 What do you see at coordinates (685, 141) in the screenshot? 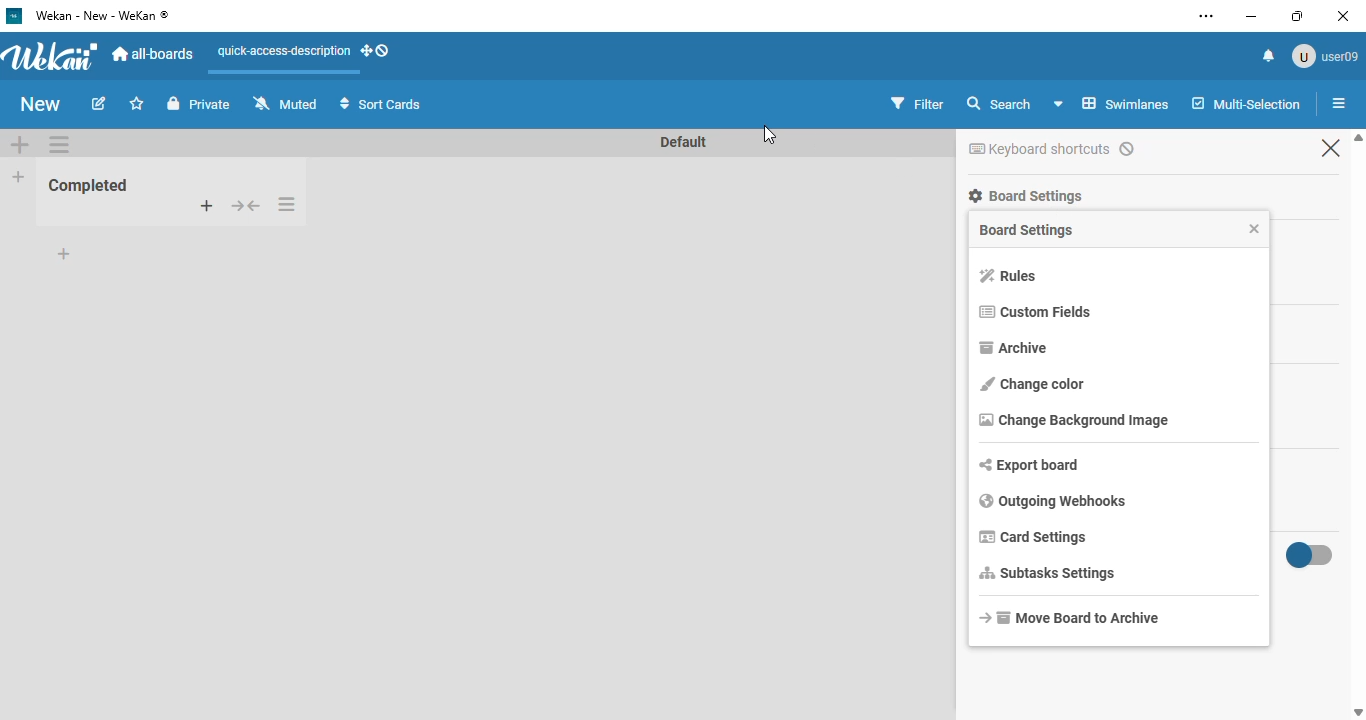
I see `Defalut` at bounding box center [685, 141].